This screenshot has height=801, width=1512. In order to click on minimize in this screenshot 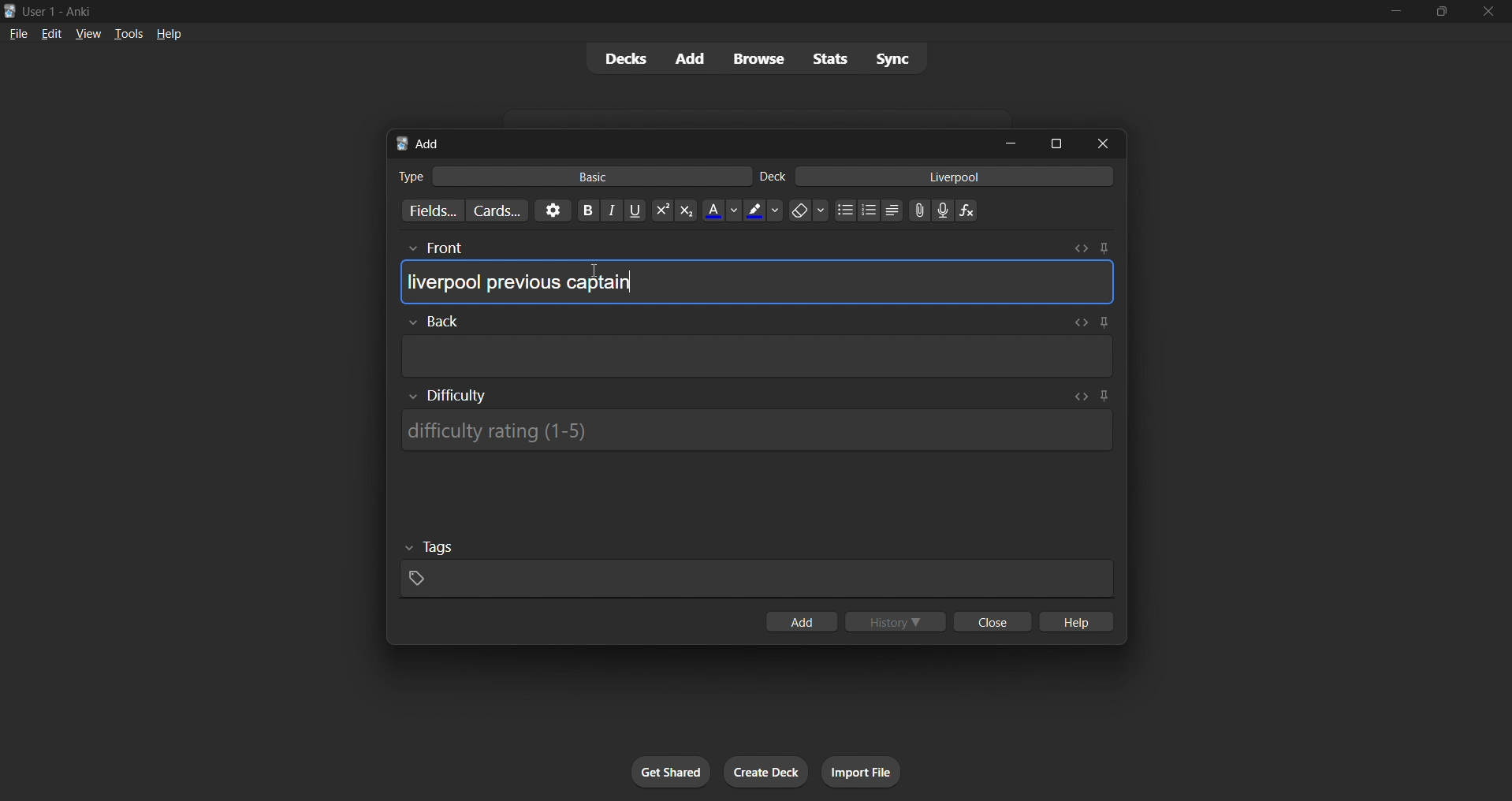, I will do `click(1393, 13)`.